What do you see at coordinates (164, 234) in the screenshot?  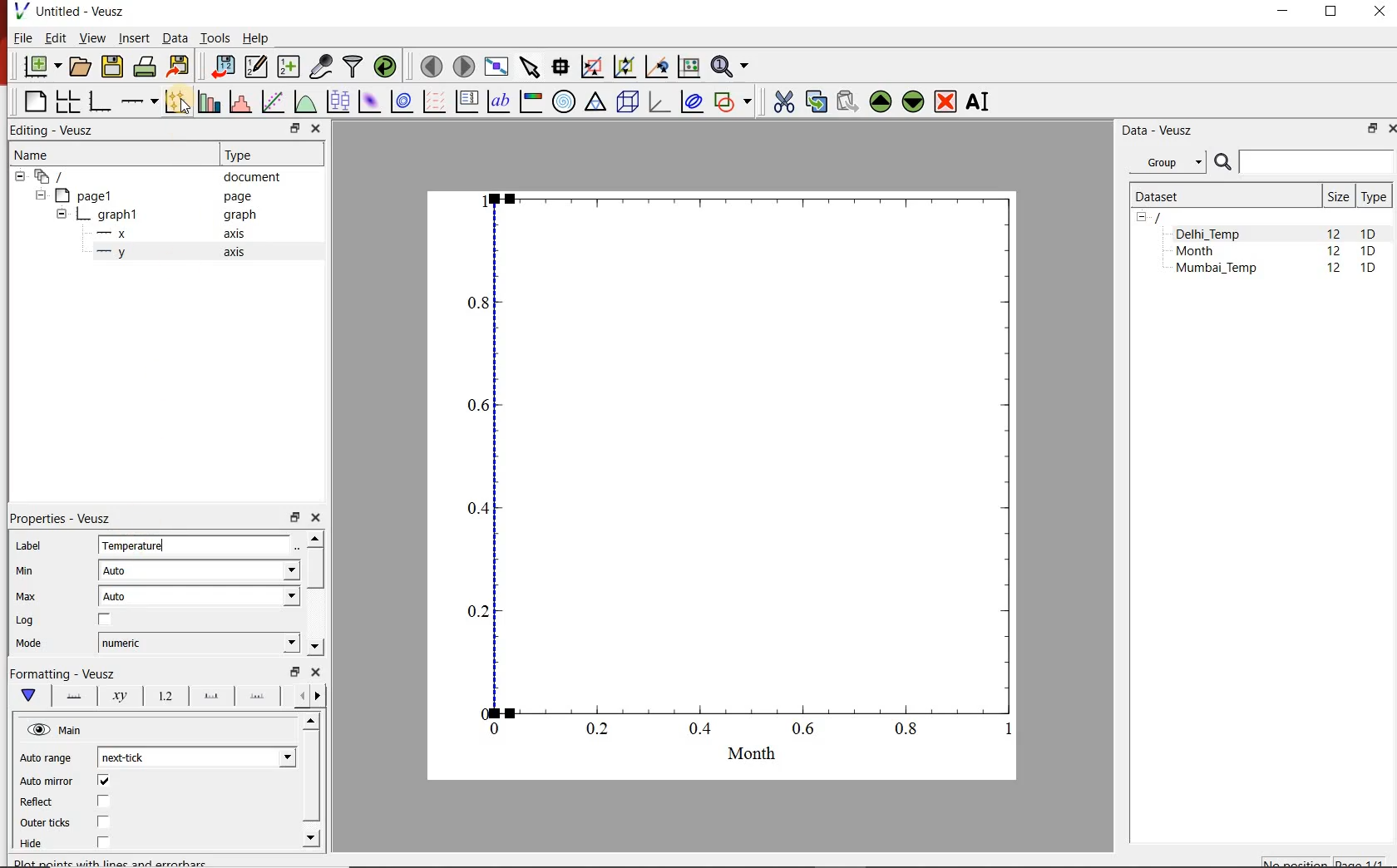 I see `-x axis` at bounding box center [164, 234].